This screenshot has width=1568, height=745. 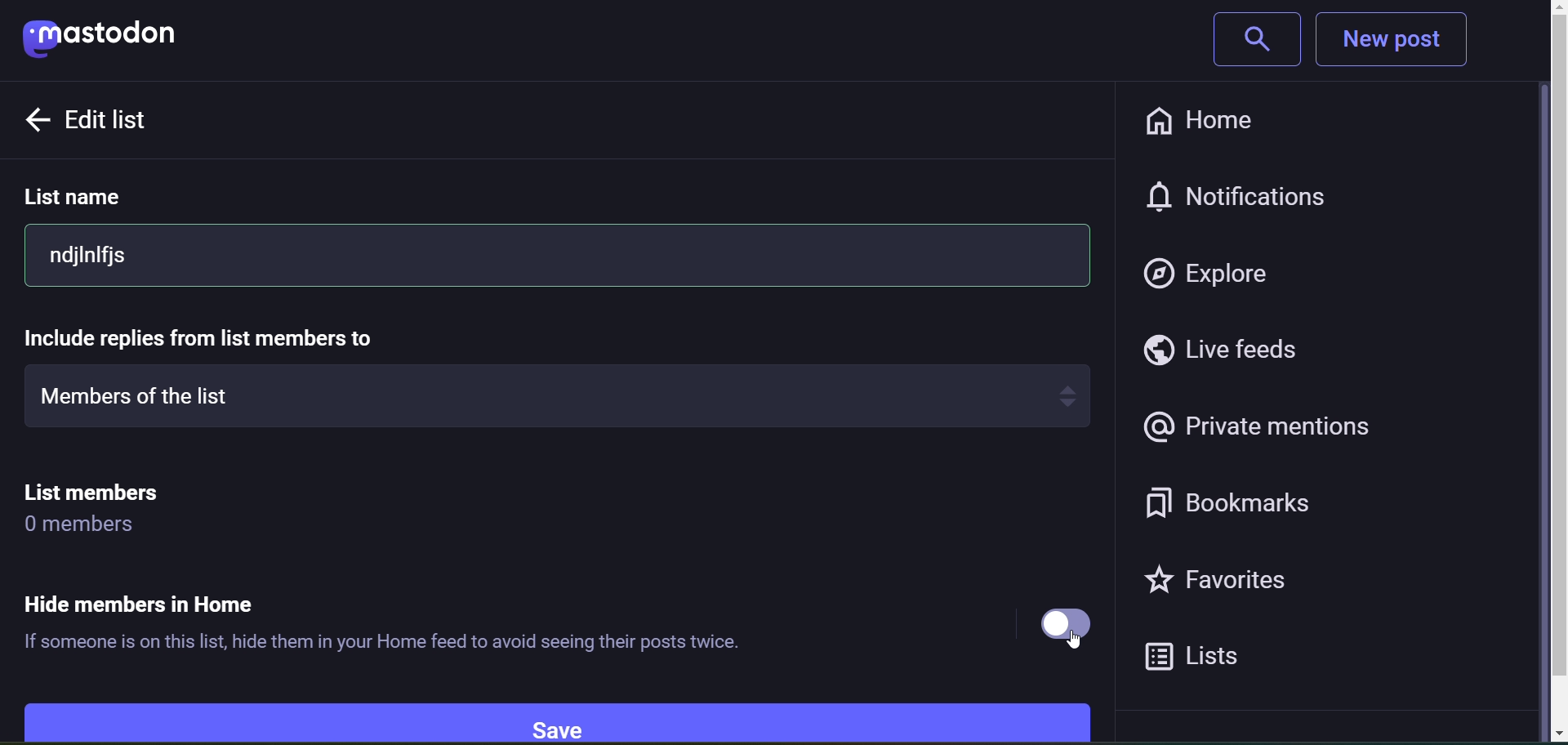 I want to click on include replies from list member to, so click(x=206, y=336).